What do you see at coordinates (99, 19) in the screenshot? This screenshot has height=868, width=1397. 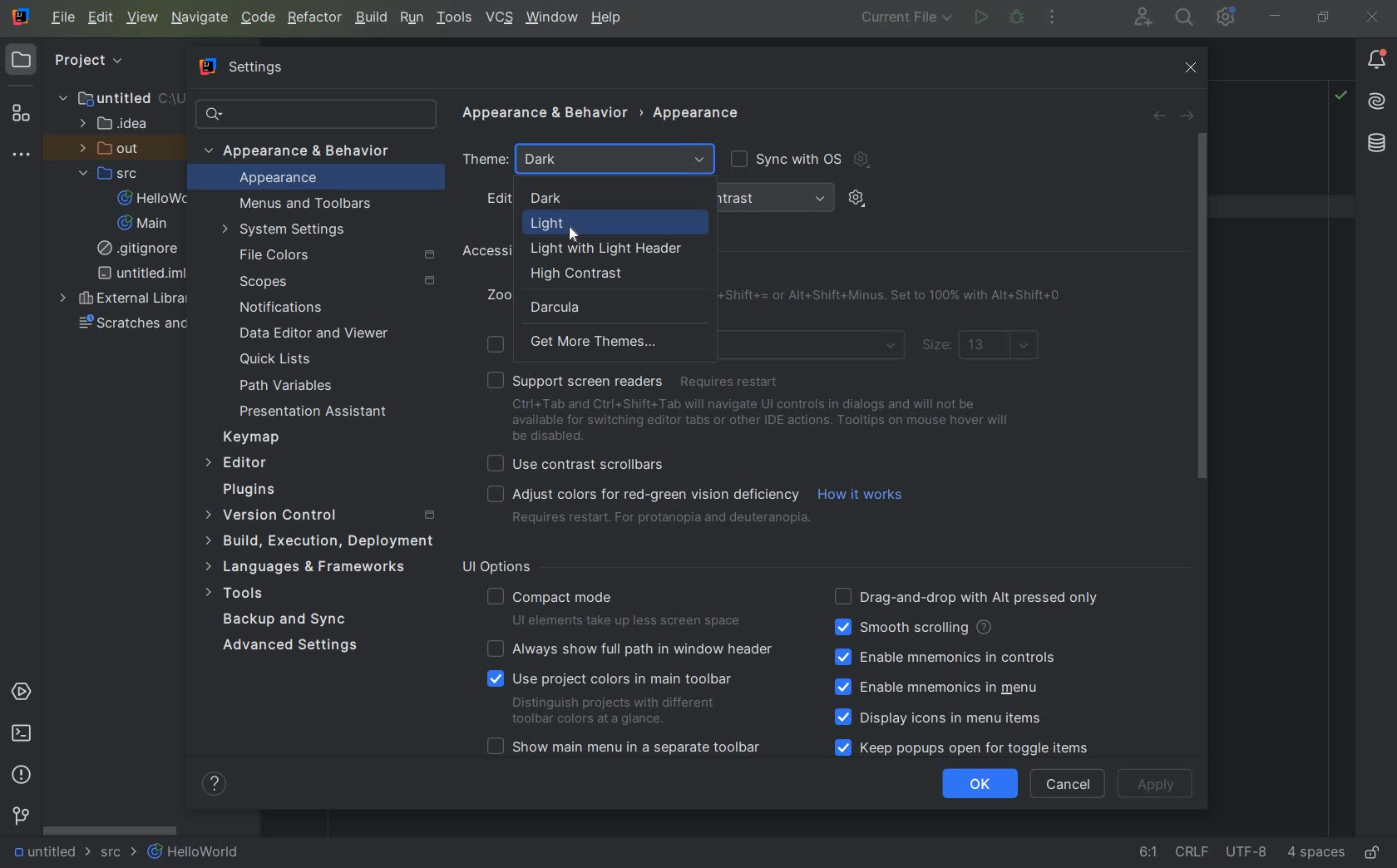 I see `Edit` at bounding box center [99, 19].